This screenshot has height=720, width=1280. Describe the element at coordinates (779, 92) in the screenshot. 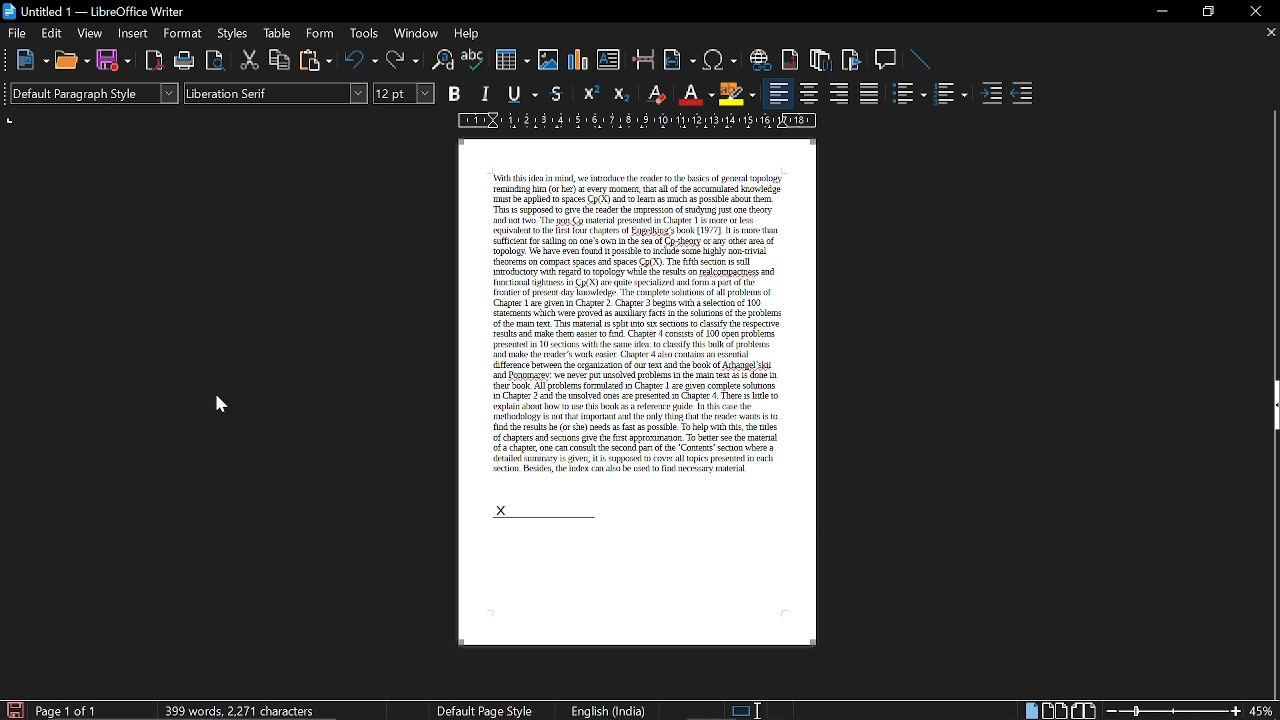

I see `align left` at that location.